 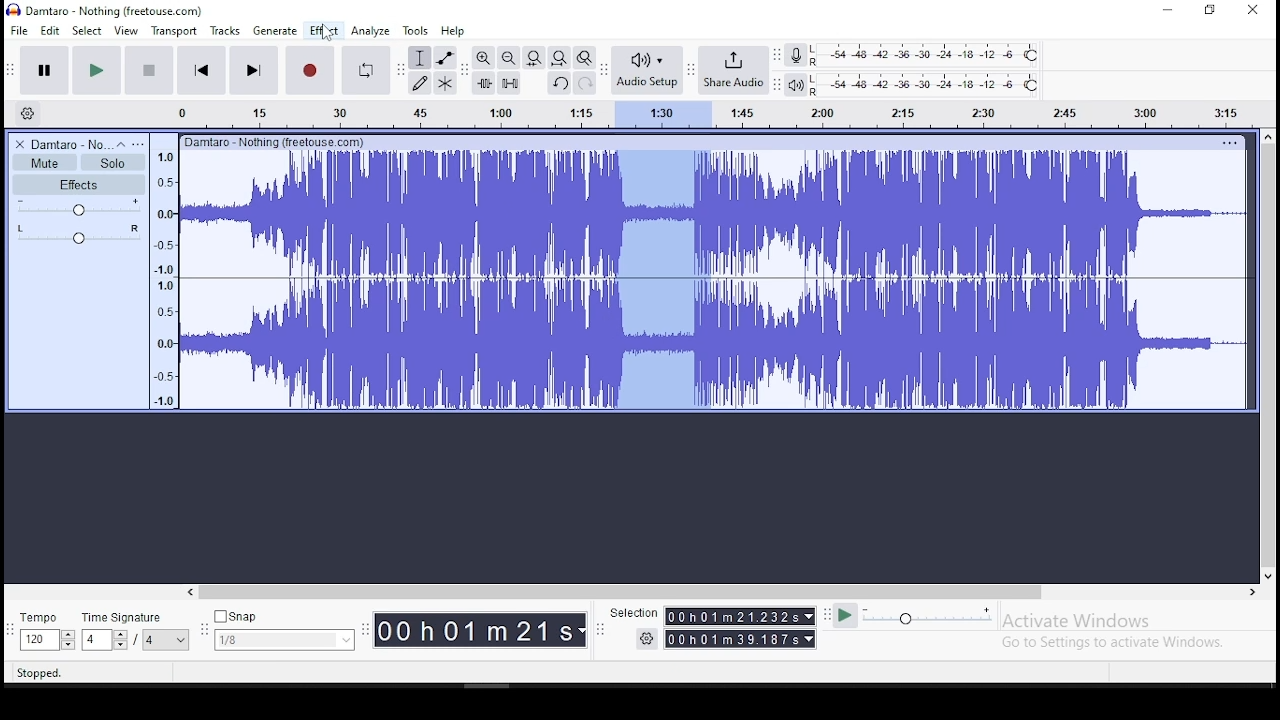 What do you see at coordinates (51, 31) in the screenshot?
I see `edit` at bounding box center [51, 31].